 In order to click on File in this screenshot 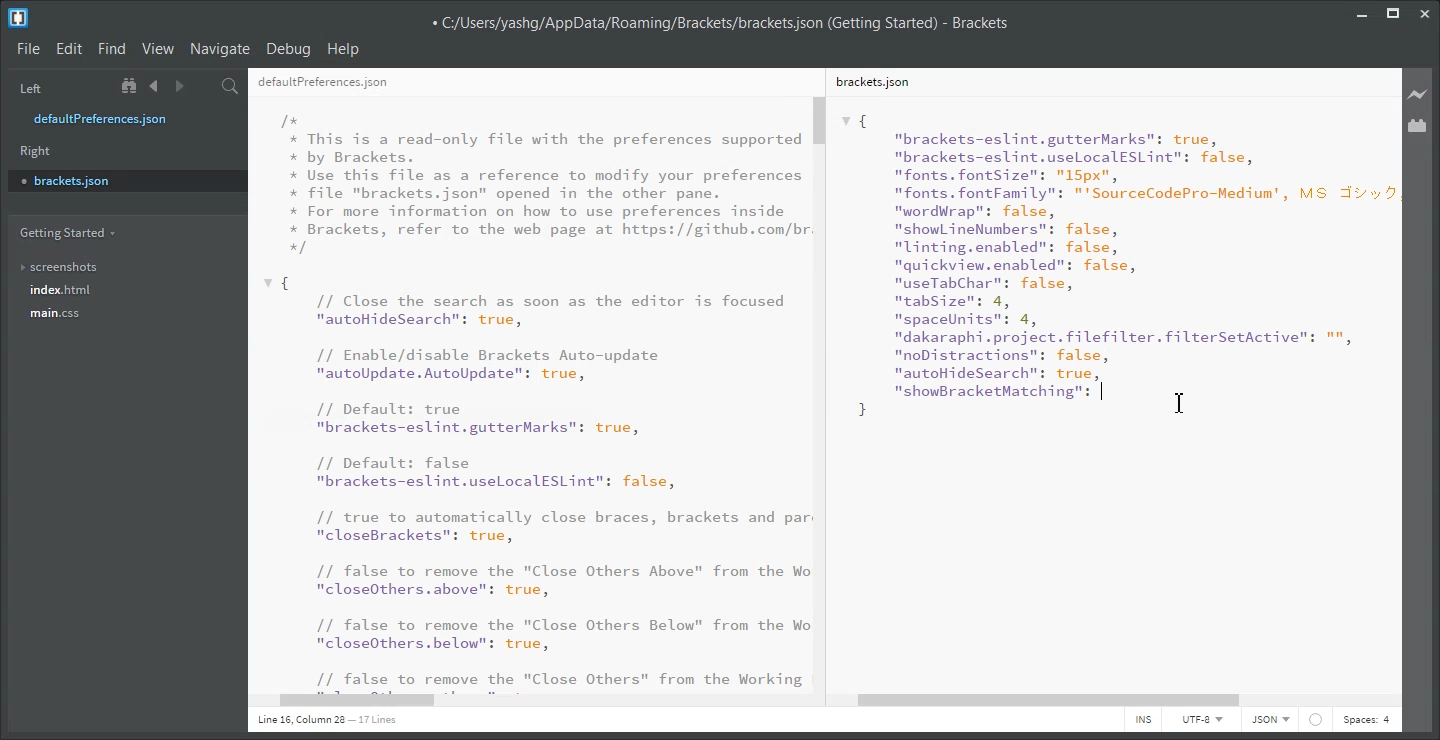, I will do `click(28, 50)`.